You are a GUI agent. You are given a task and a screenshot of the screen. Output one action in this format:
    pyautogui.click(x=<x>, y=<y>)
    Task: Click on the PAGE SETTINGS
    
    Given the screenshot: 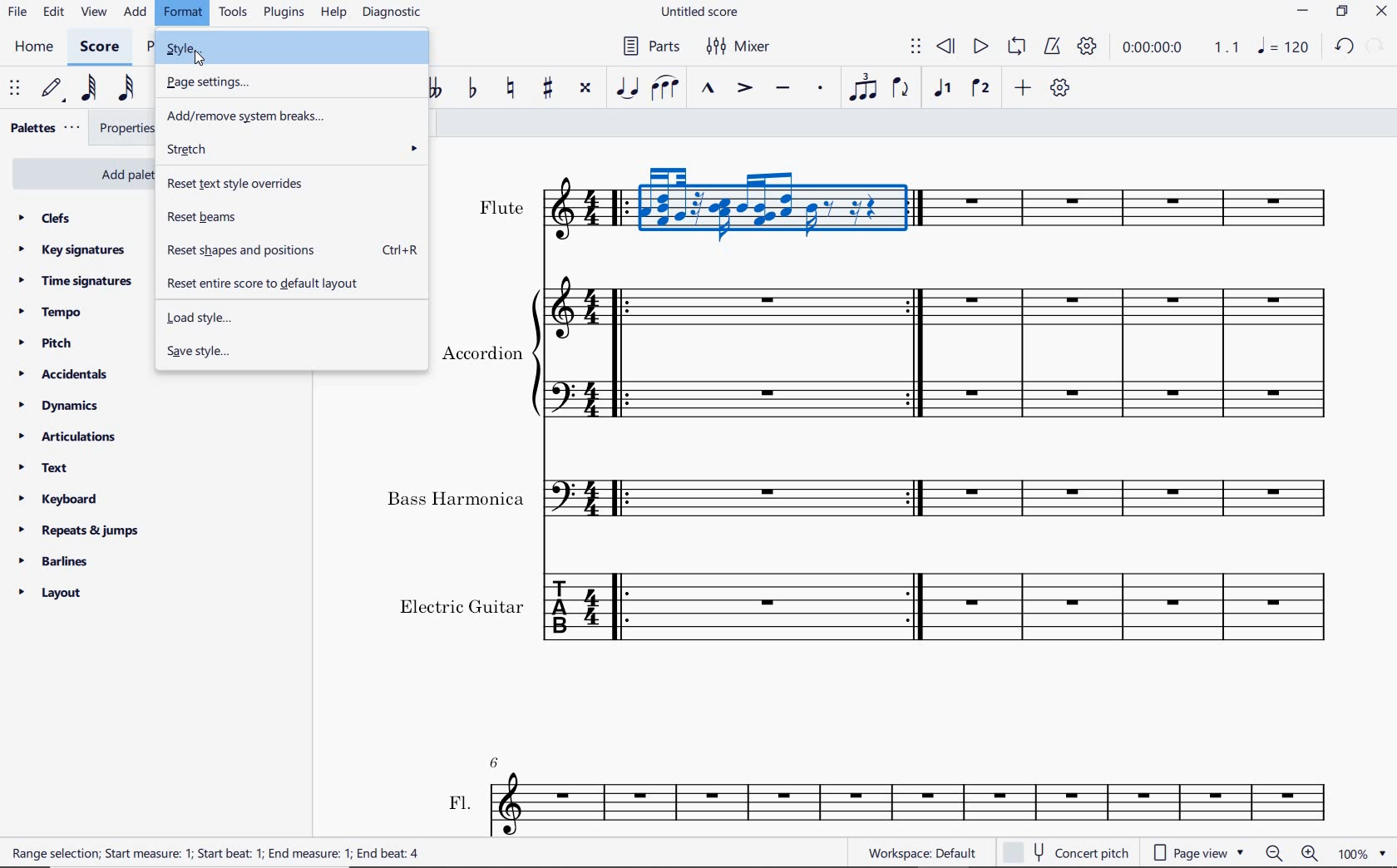 What is the action you would take?
    pyautogui.click(x=289, y=81)
    